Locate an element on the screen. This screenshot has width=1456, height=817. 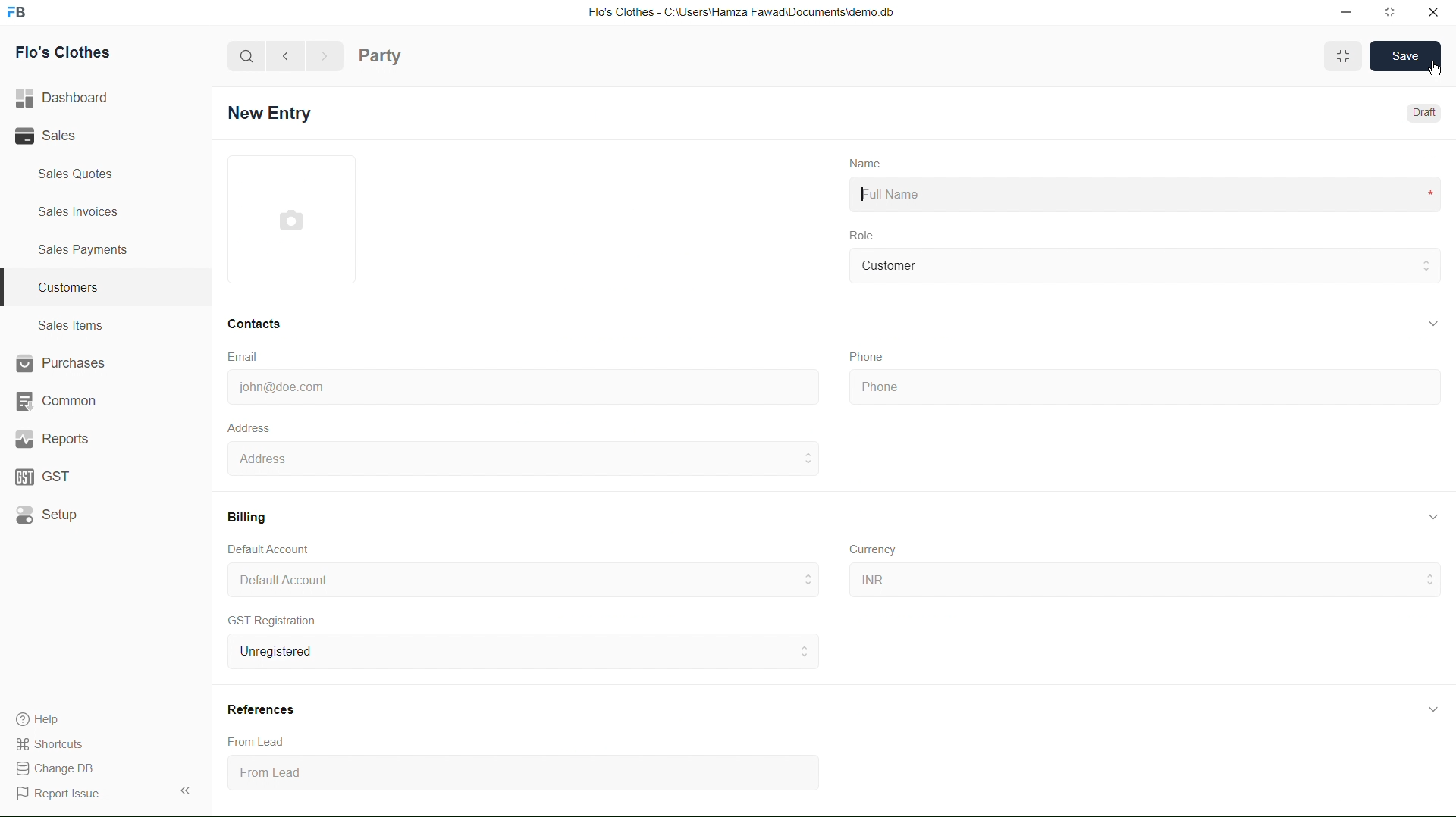
change DB is located at coordinates (55, 768).